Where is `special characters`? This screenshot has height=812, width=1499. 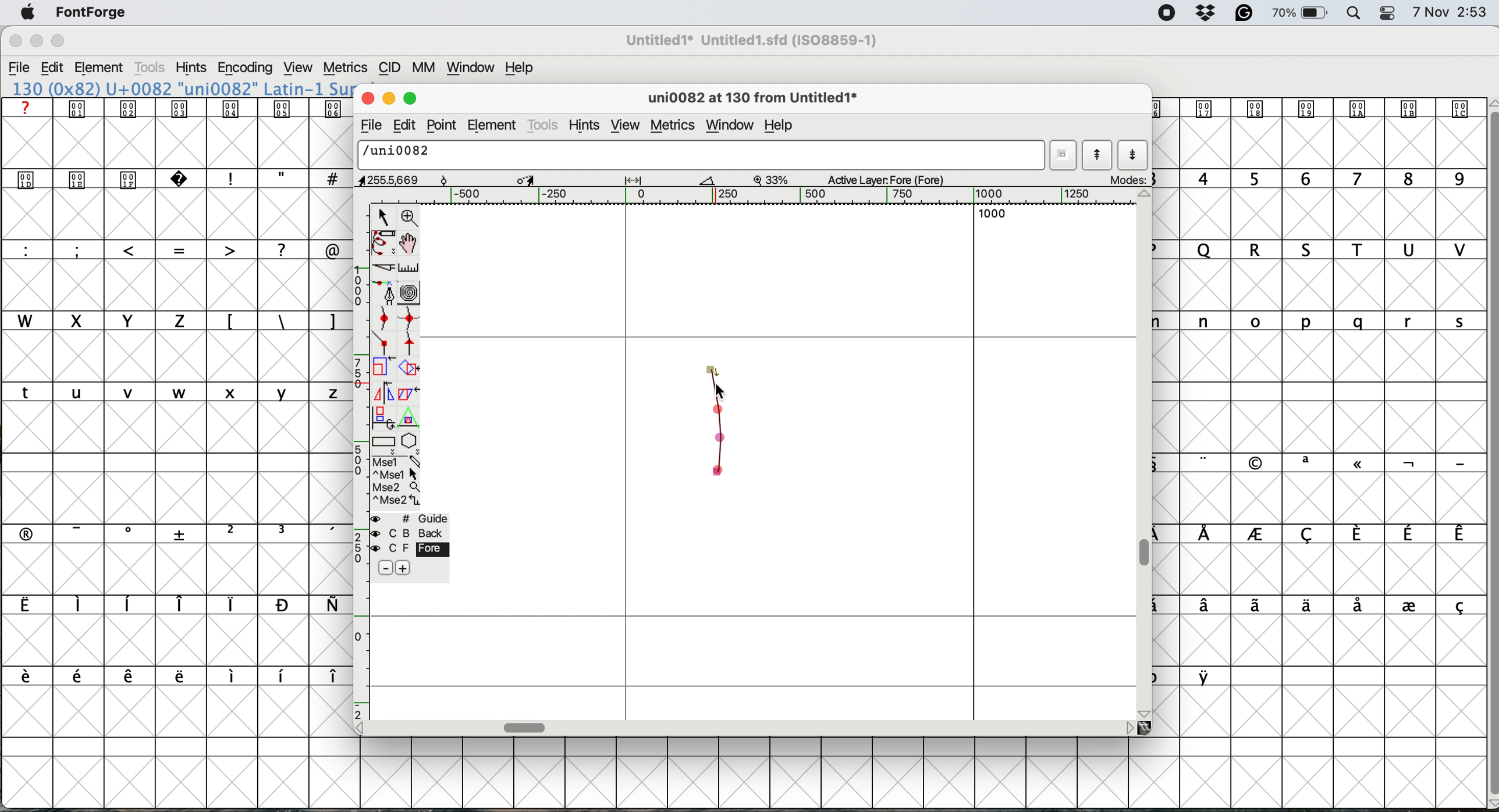 special characters is located at coordinates (1191, 676).